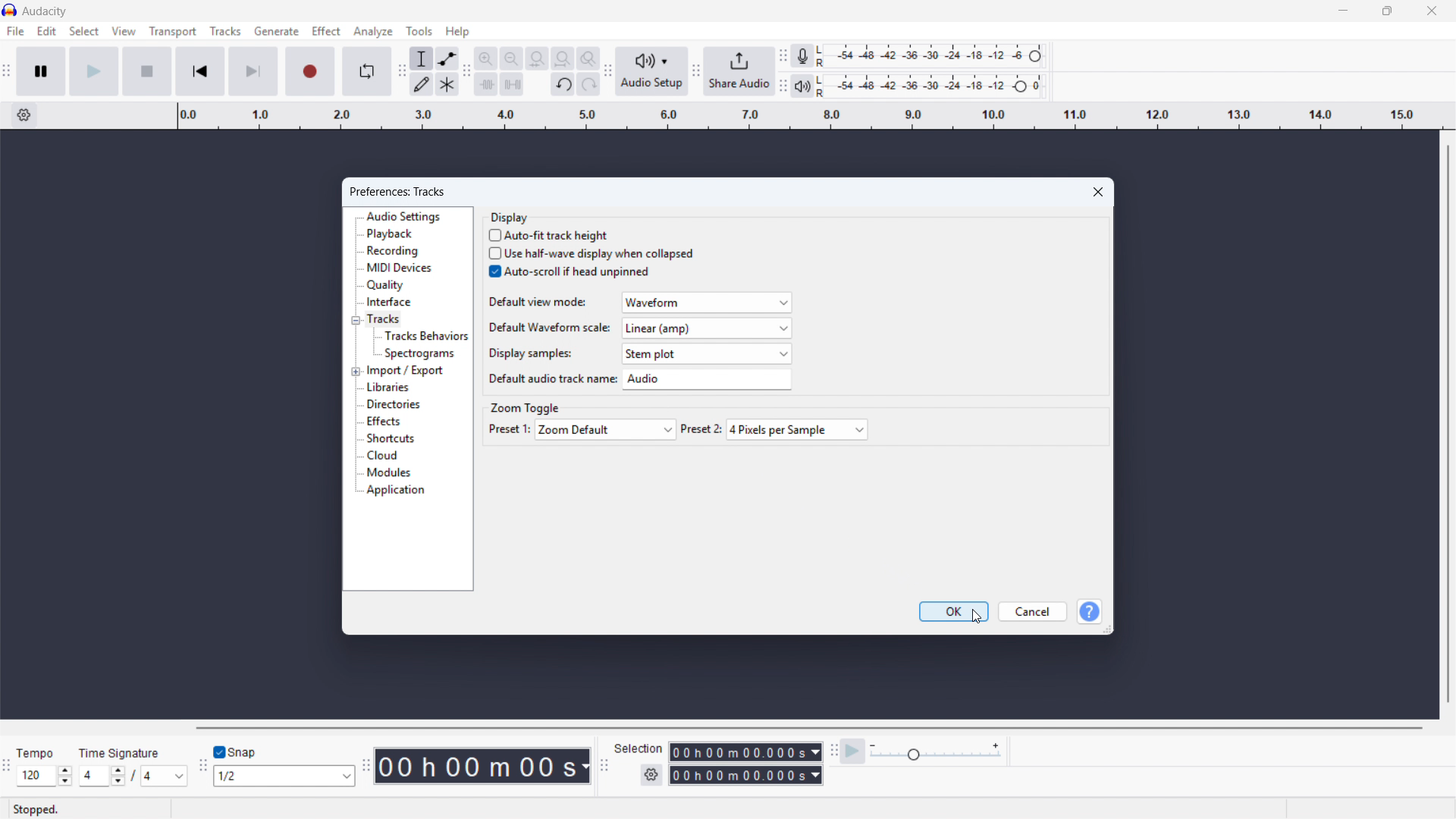 The image size is (1456, 819). Describe the element at coordinates (309, 71) in the screenshot. I see `record` at that location.